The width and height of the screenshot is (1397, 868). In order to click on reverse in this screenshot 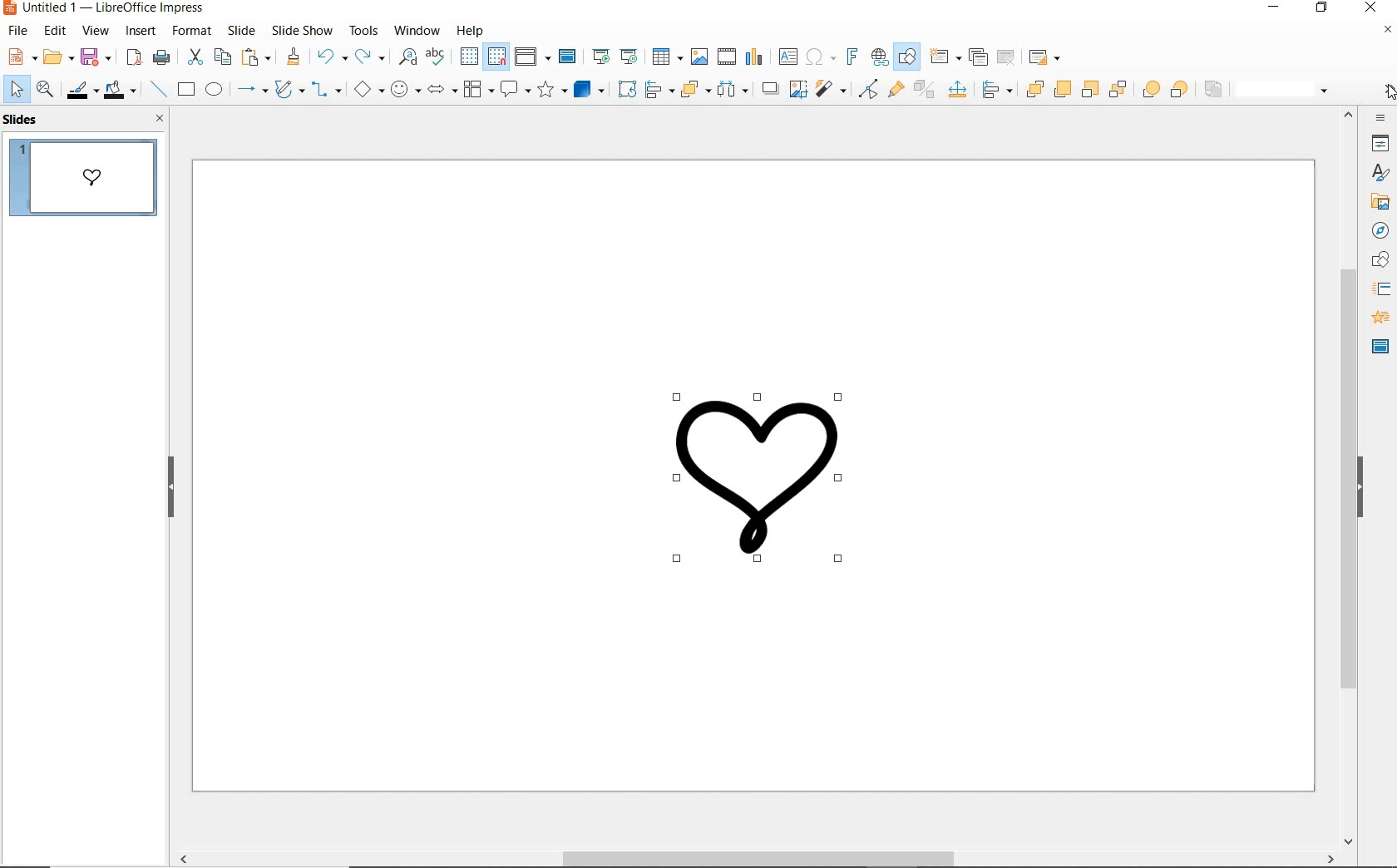, I will do `click(1214, 89)`.